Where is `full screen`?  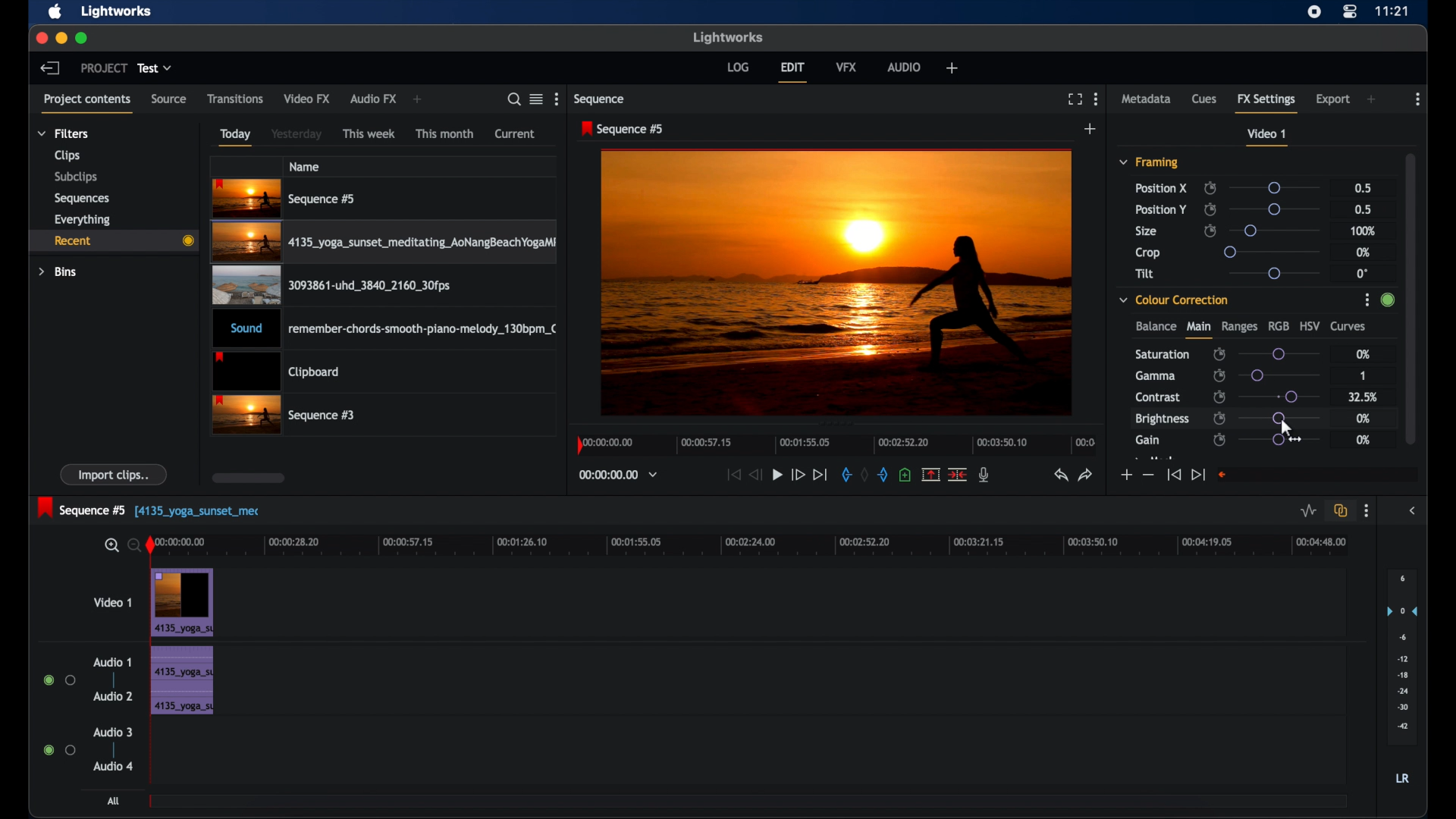 full screen is located at coordinates (1075, 99).